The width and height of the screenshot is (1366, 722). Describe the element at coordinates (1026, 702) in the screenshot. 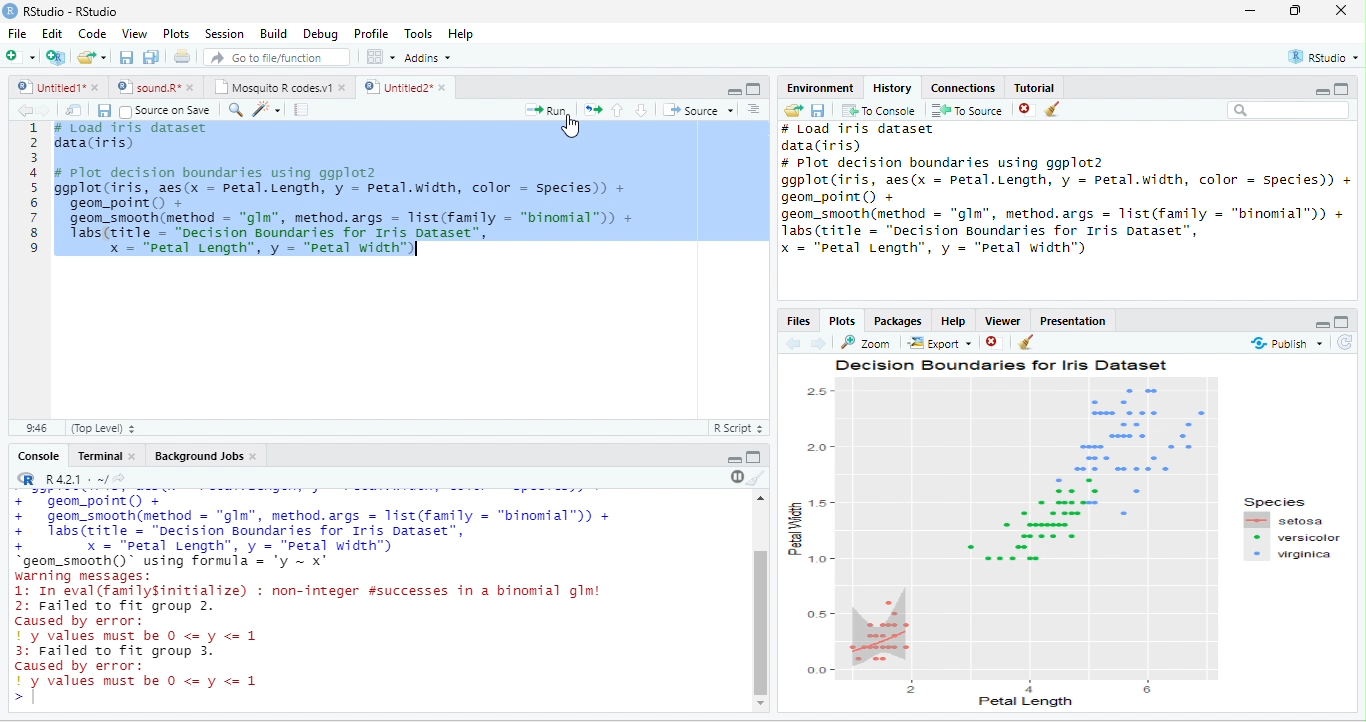

I see `Petal Length` at that location.